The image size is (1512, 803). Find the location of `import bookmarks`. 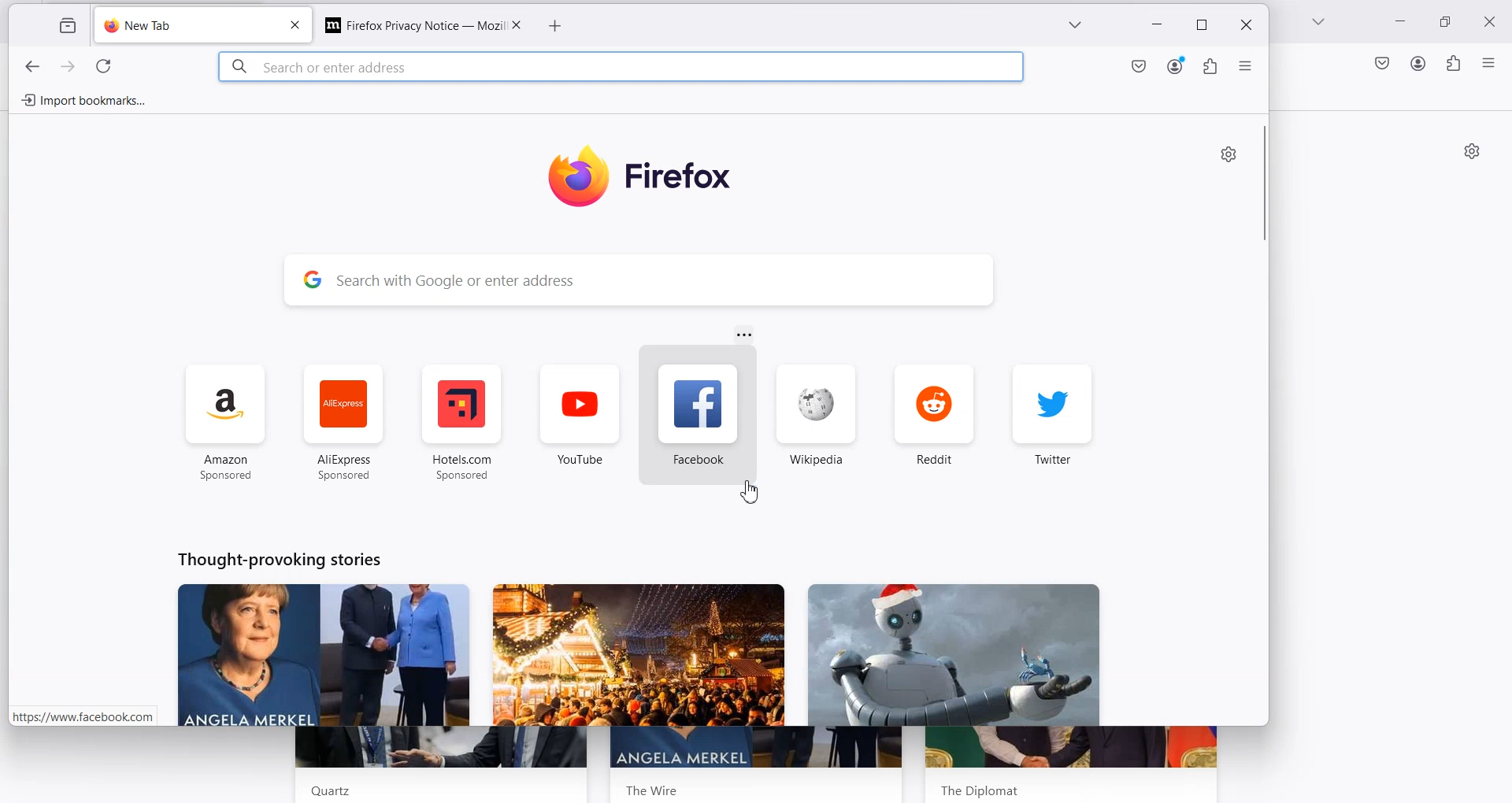

import bookmarks is located at coordinates (81, 101).